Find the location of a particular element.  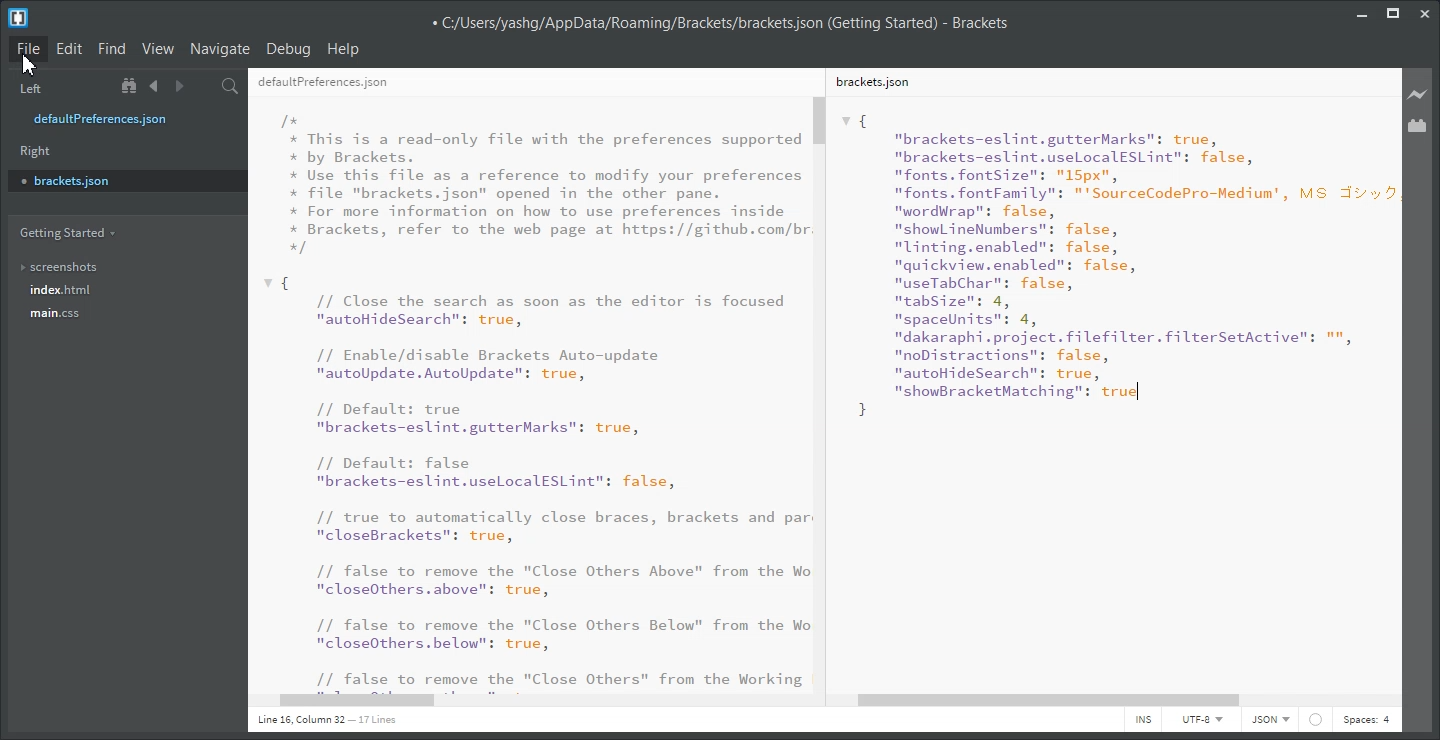

defaultPreferences.json is located at coordinates (323, 83).